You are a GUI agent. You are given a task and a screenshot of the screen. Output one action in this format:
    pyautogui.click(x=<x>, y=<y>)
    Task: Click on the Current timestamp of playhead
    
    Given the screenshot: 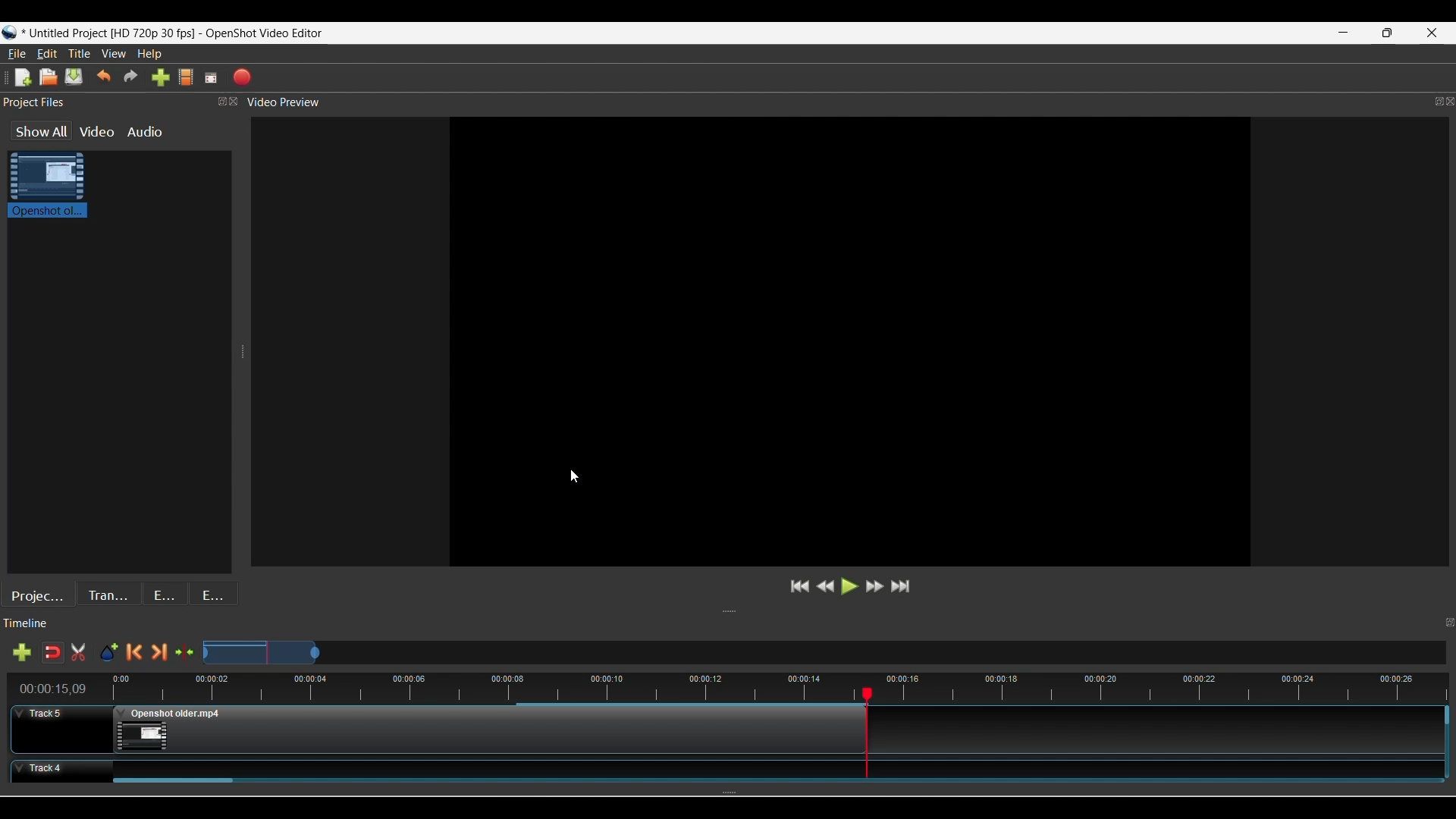 What is the action you would take?
    pyautogui.click(x=54, y=689)
    